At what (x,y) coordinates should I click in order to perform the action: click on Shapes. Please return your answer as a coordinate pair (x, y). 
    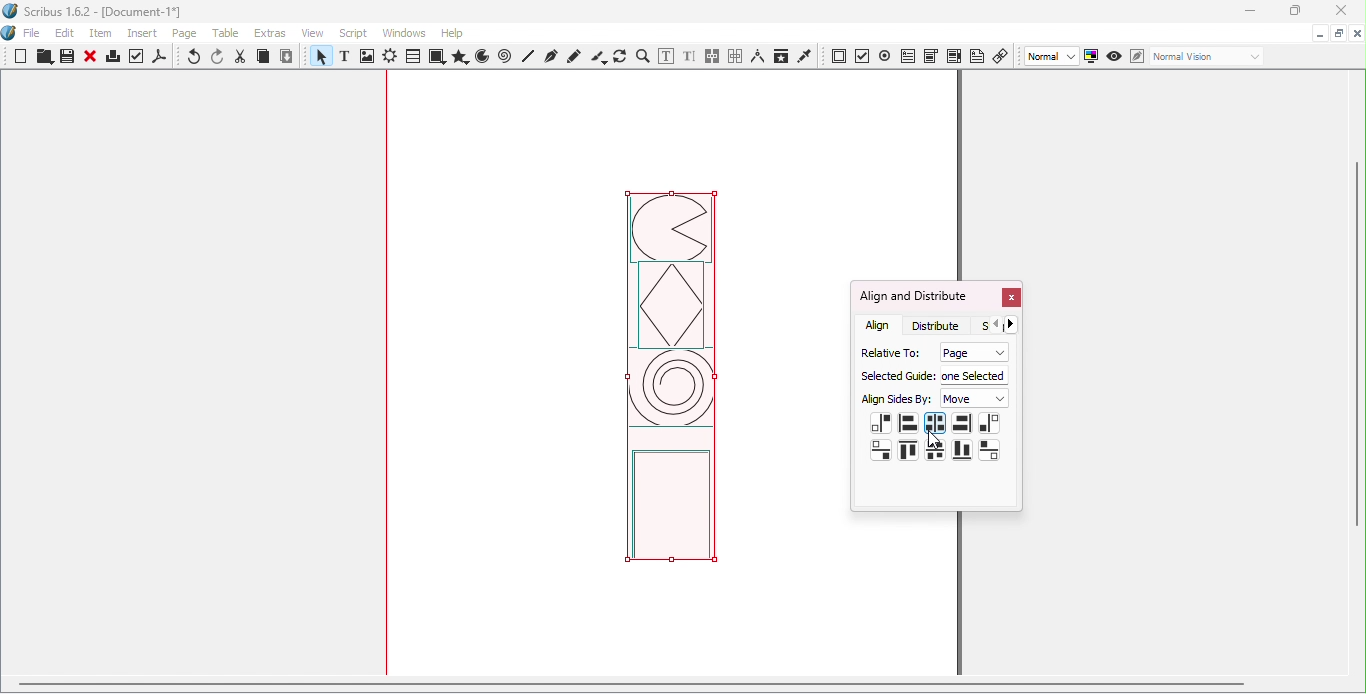
    Looking at the image, I should click on (436, 57).